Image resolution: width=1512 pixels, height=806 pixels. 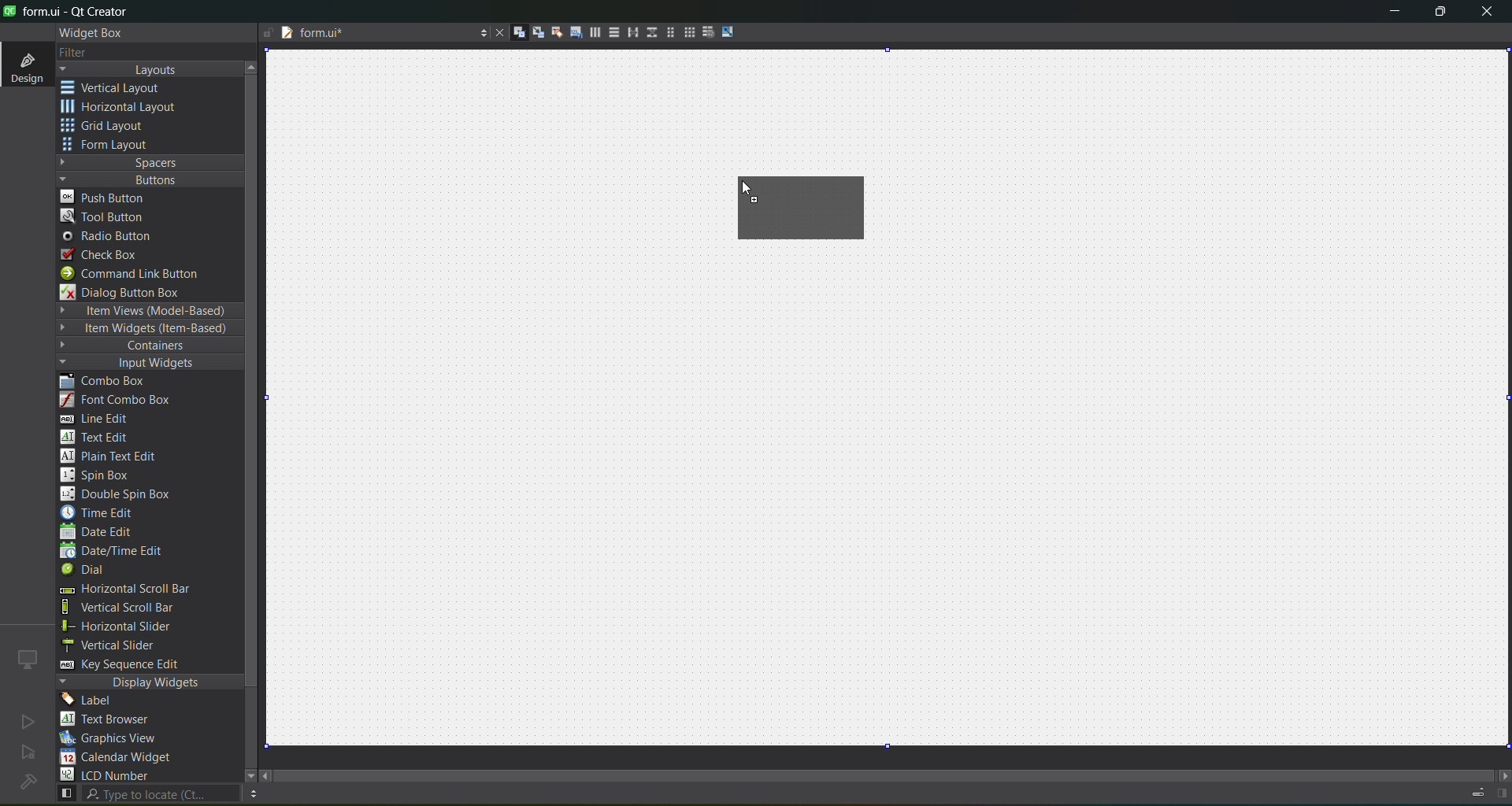 What do you see at coordinates (109, 775) in the screenshot?
I see `lcd number` at bounding box center [109, 775].